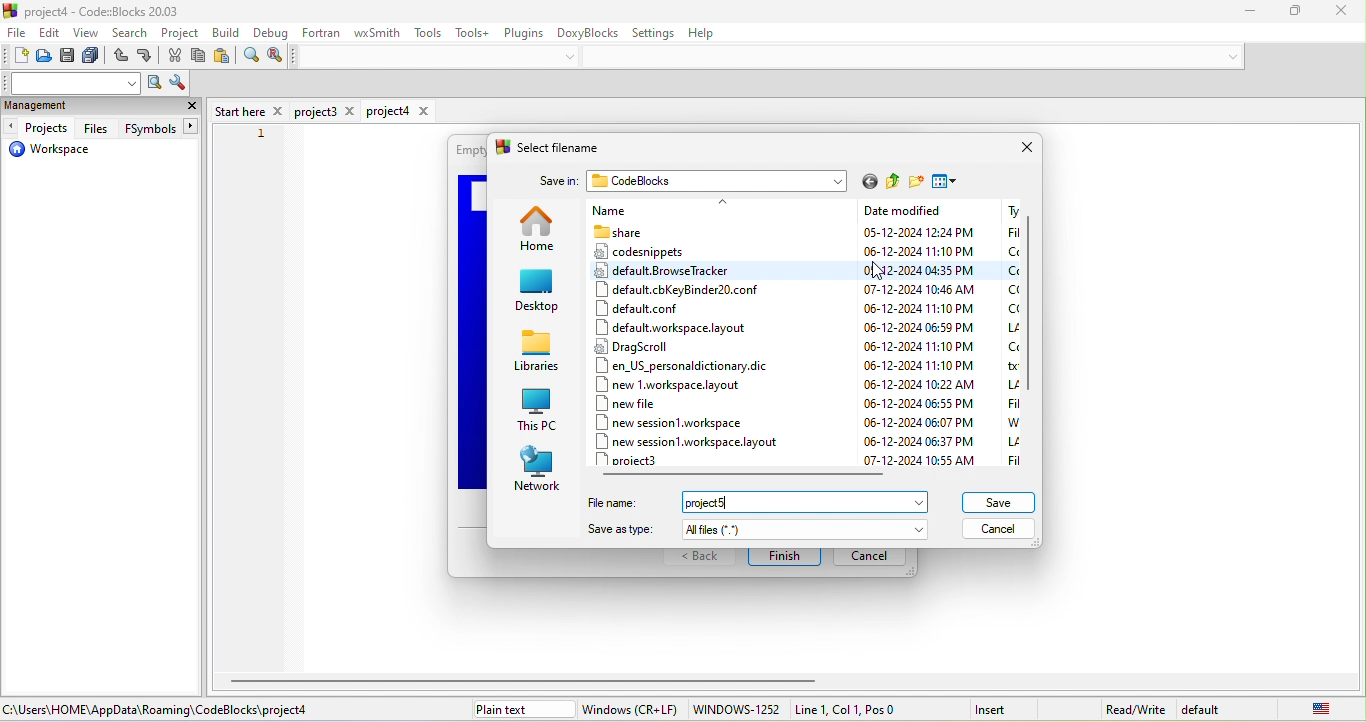 The image size is (1366, 722). What do you see at coordinates (322, 32) in the screenshot?
I see `fortran` at bounding box center [322, 32].